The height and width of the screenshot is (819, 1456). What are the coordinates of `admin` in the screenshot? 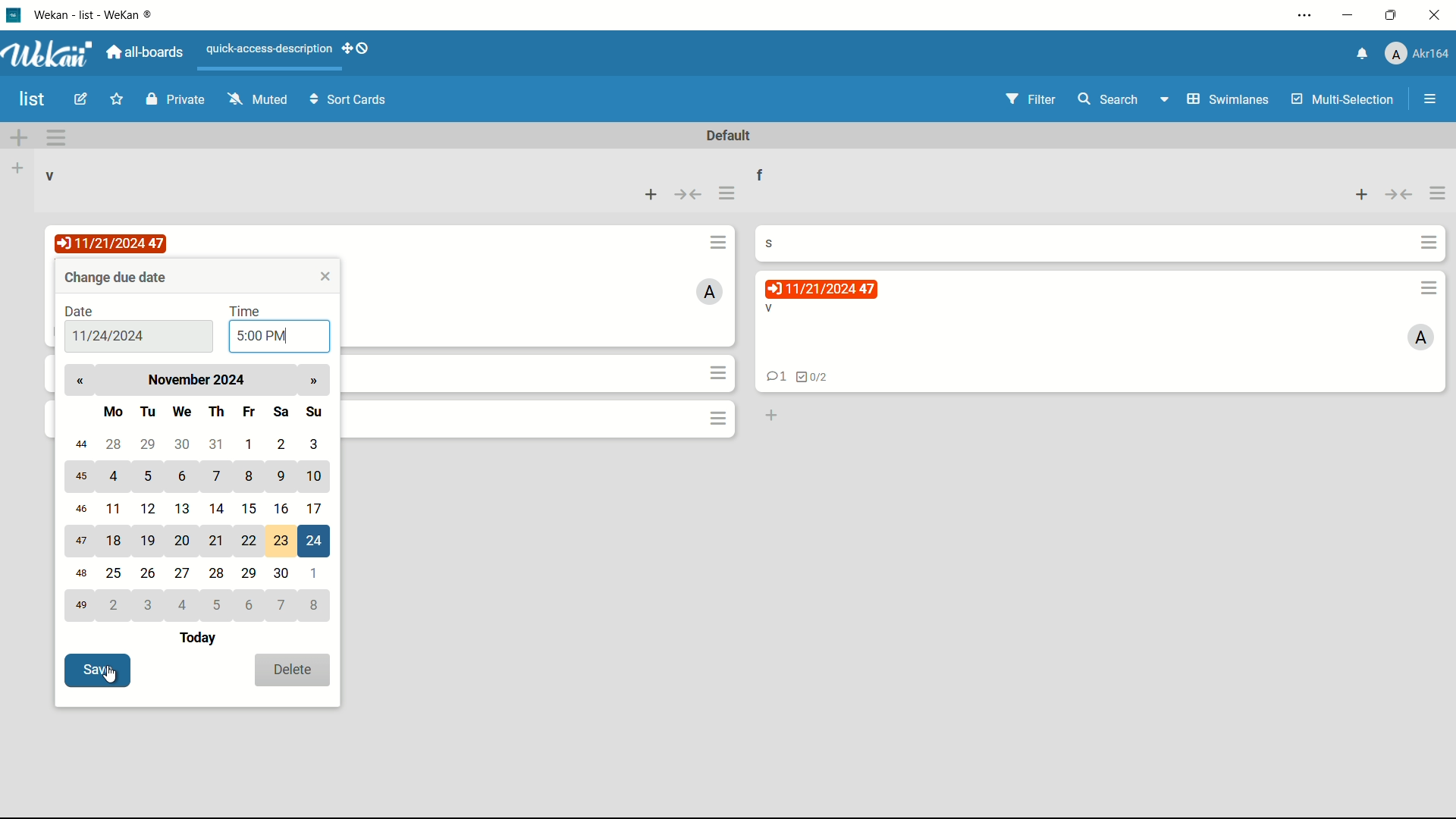 It's located at (1421, 338).